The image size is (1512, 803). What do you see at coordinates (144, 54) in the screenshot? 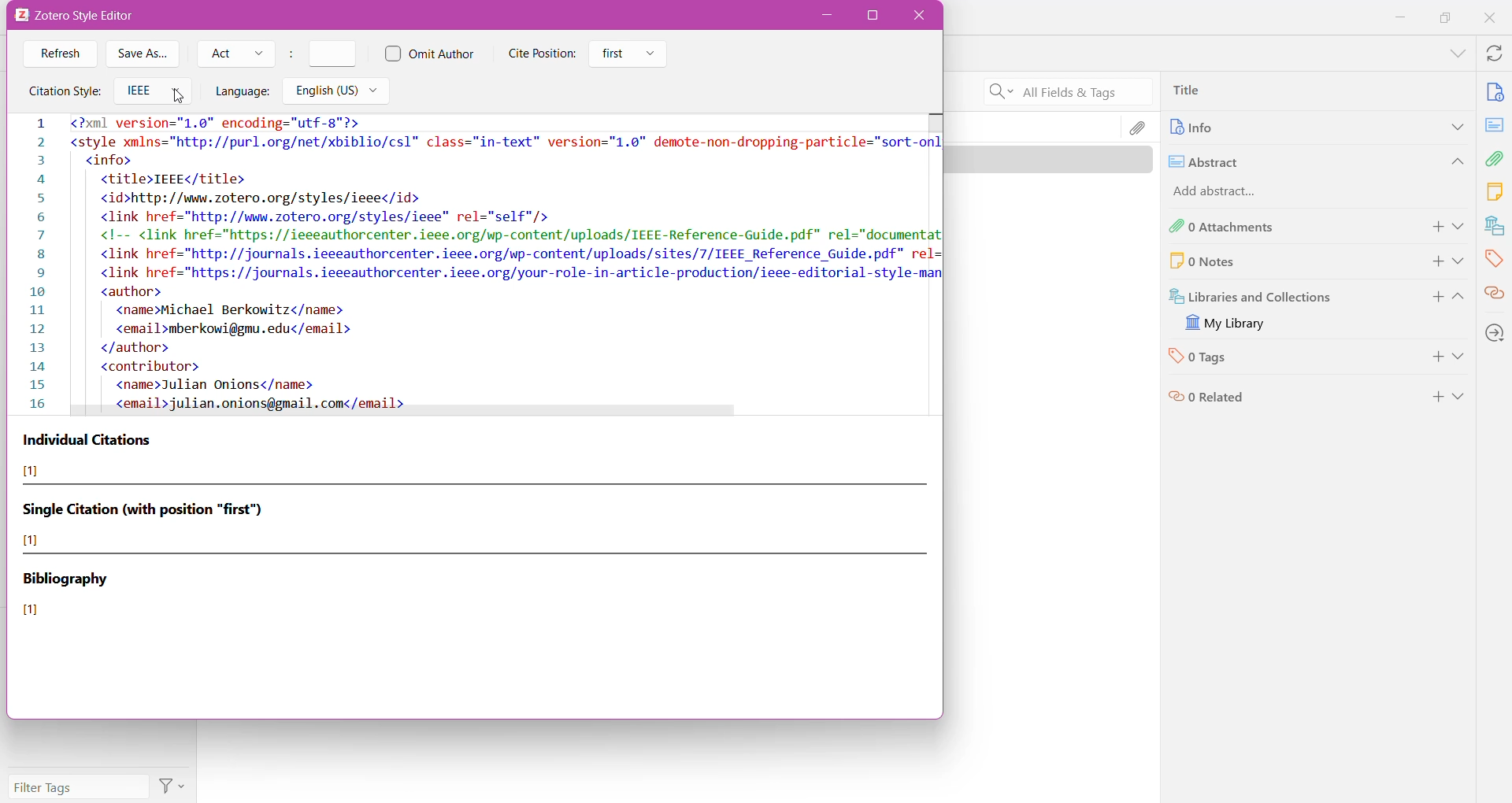
I see `Save As` at bounding box center [144, 54].